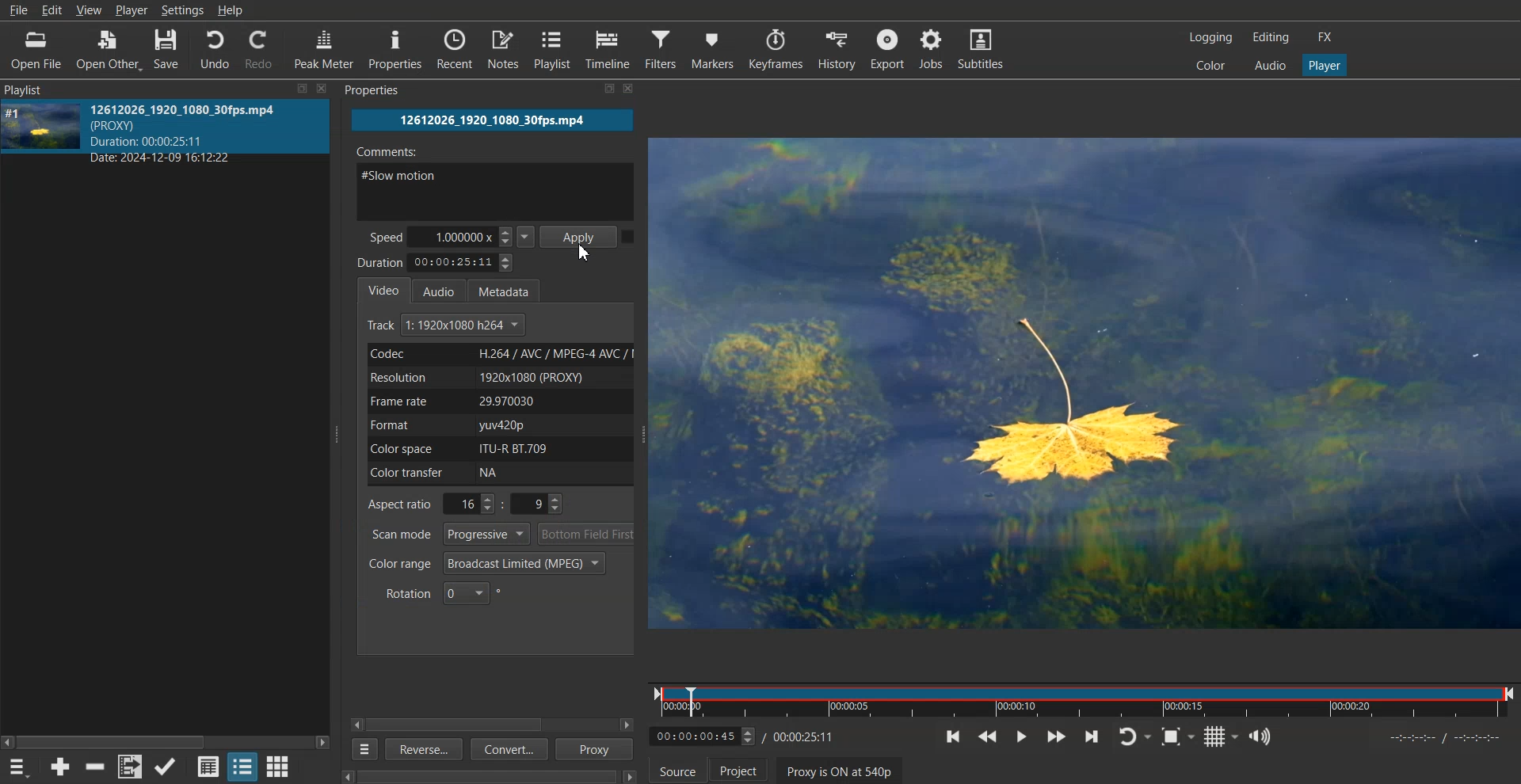 This screenshot has height=784, width=1521. What do you see at coordinates (448, 325) in the screenshot?
I see `Track` at bounding box center [448, 325].